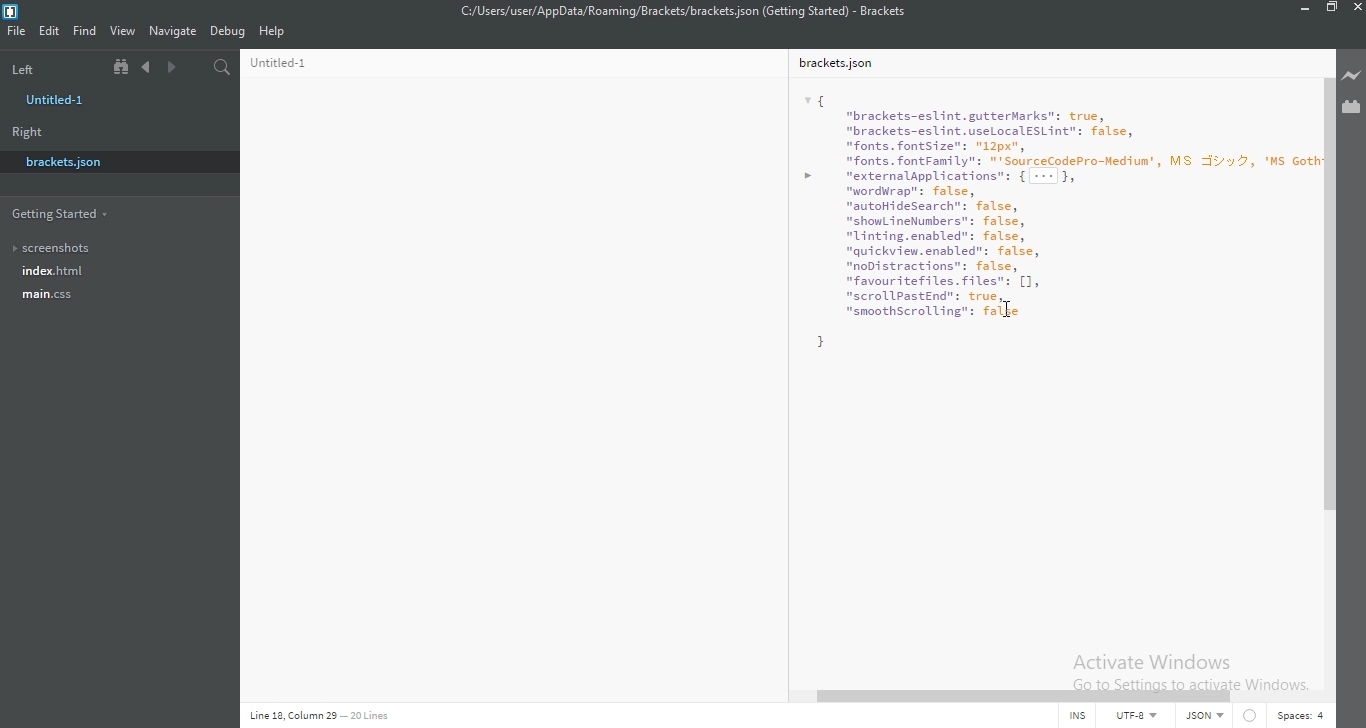 This screenshot has height=728, width=1366. Describe the element at coordinates (700, 10) in the screenshot. I see `file name updated` at that location.